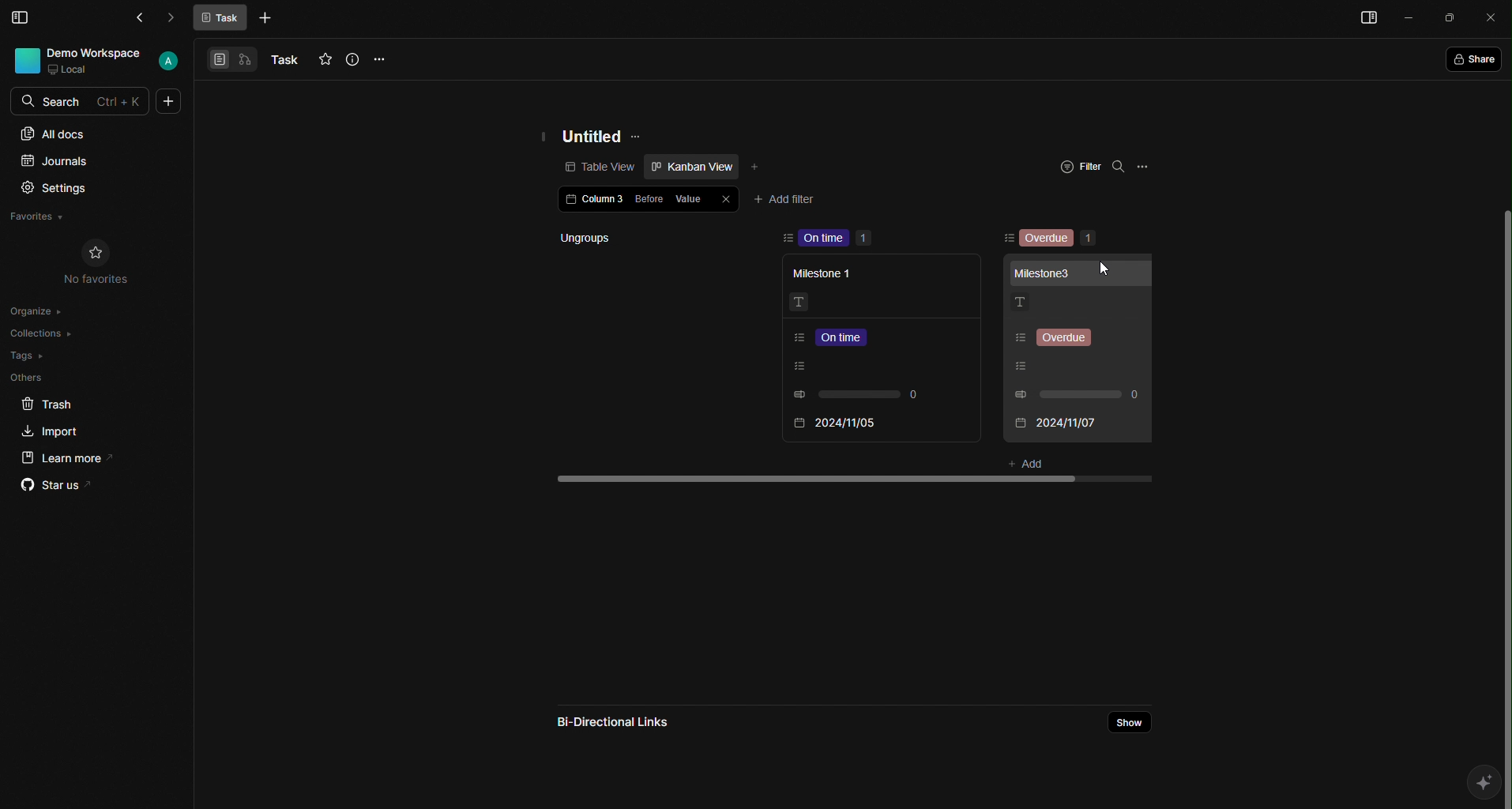 The image size is (1512, 809). Describe the element at coordinates (265, 20) in the screenshot. I see `More` at that location.